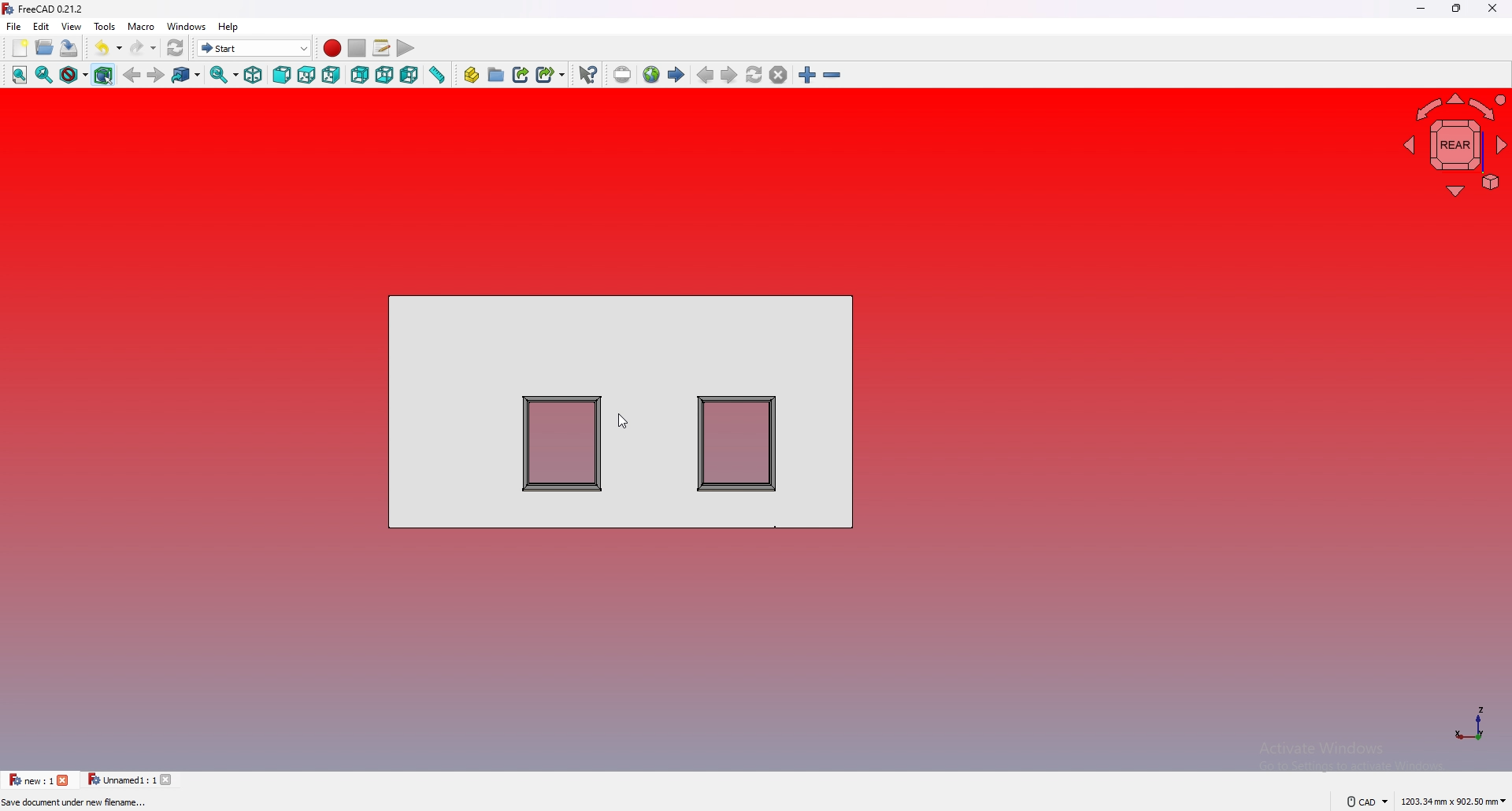 This screenshot has height=811, width=1512. What do you see at coordinates (361, 76) in the screenshot?
I see `back` at bounding box center [361, 76].